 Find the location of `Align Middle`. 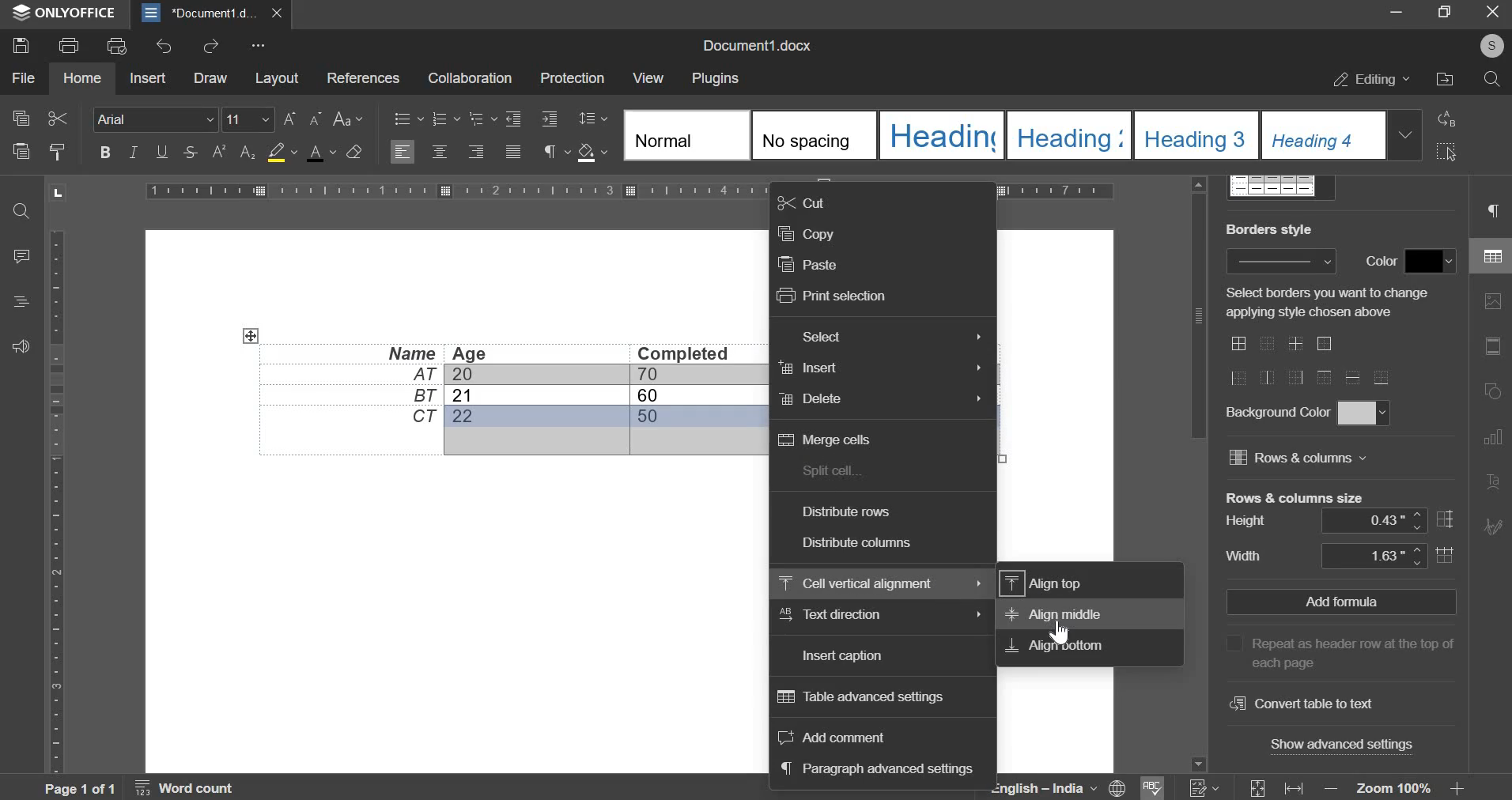

Align Middle is located at coordinates (1089, 616).